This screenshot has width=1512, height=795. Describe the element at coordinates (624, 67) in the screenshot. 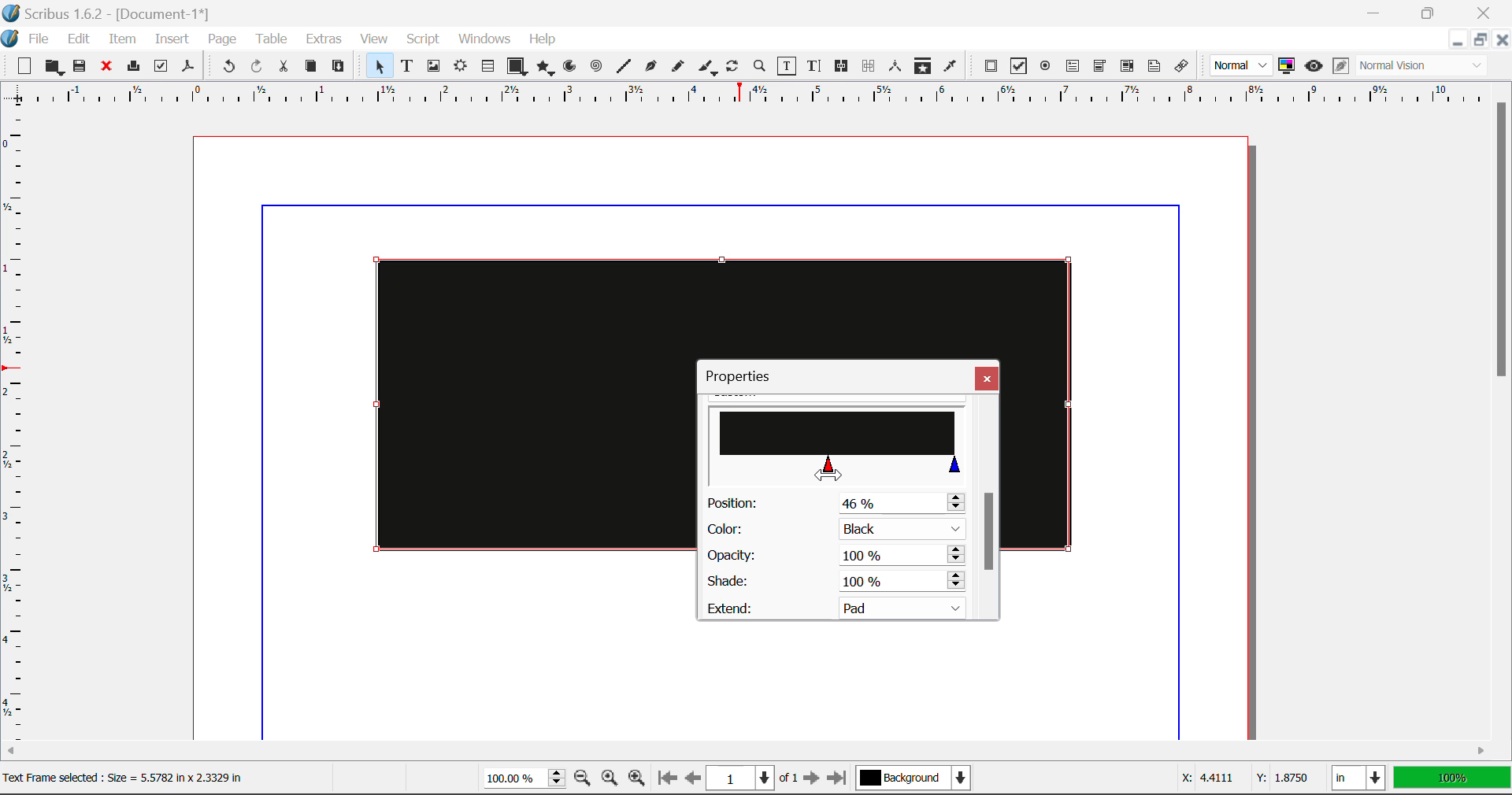

I see `Line` at that location.